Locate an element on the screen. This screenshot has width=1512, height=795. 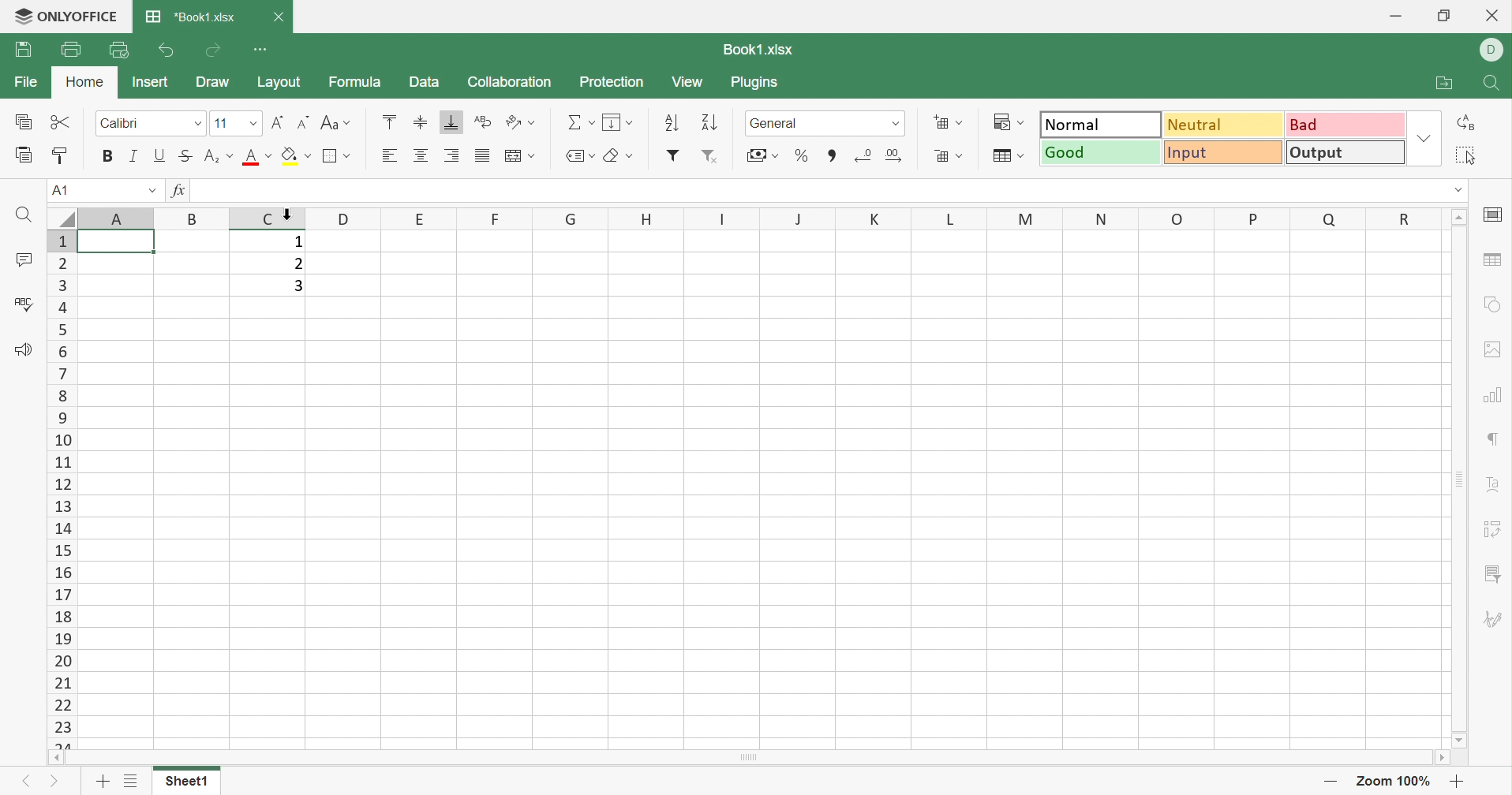
Bold is located at coordinates (107, 159).